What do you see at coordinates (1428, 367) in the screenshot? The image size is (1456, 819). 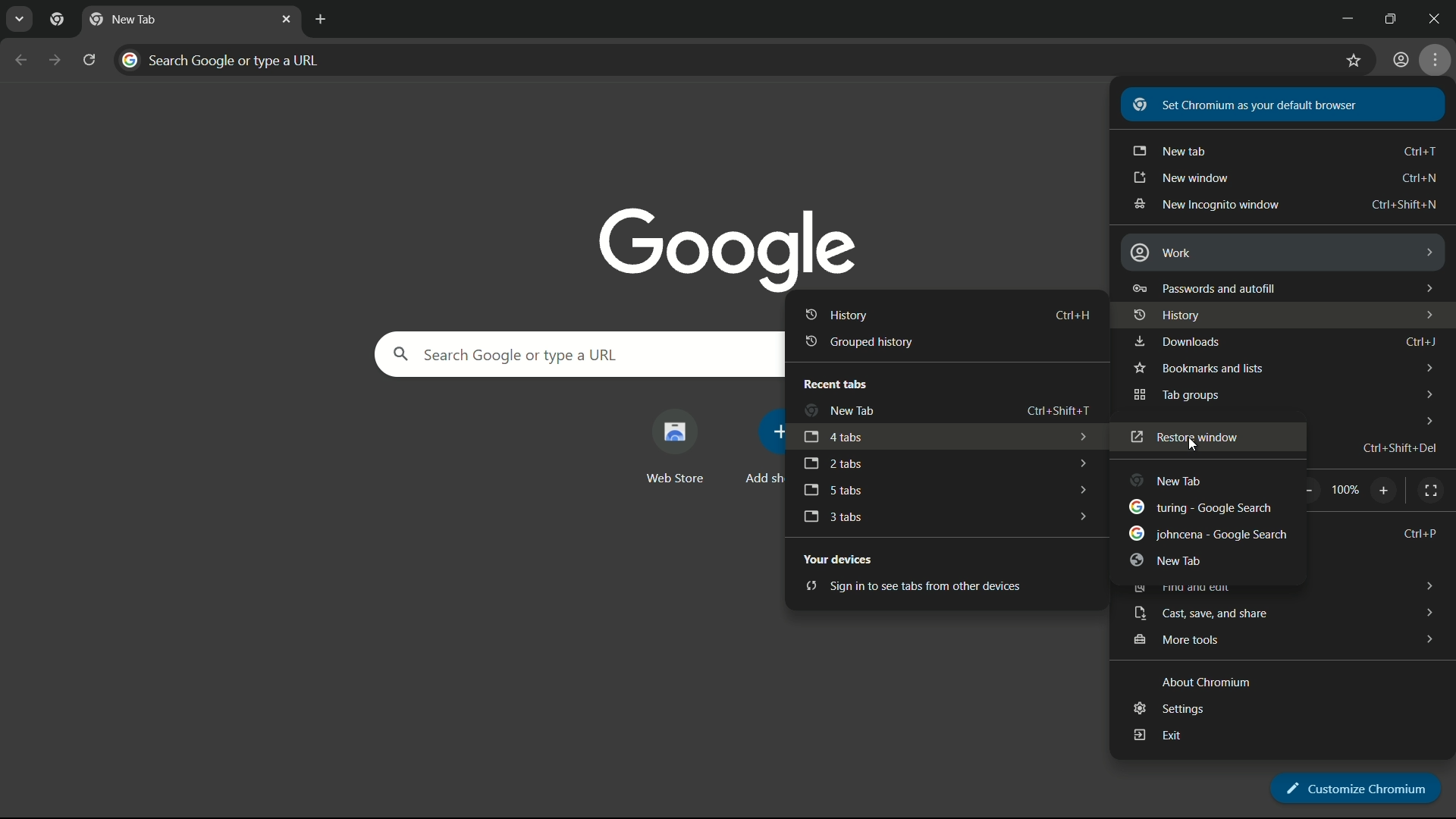 I see `dropdown arrows` at bounding box center [1428, 367].